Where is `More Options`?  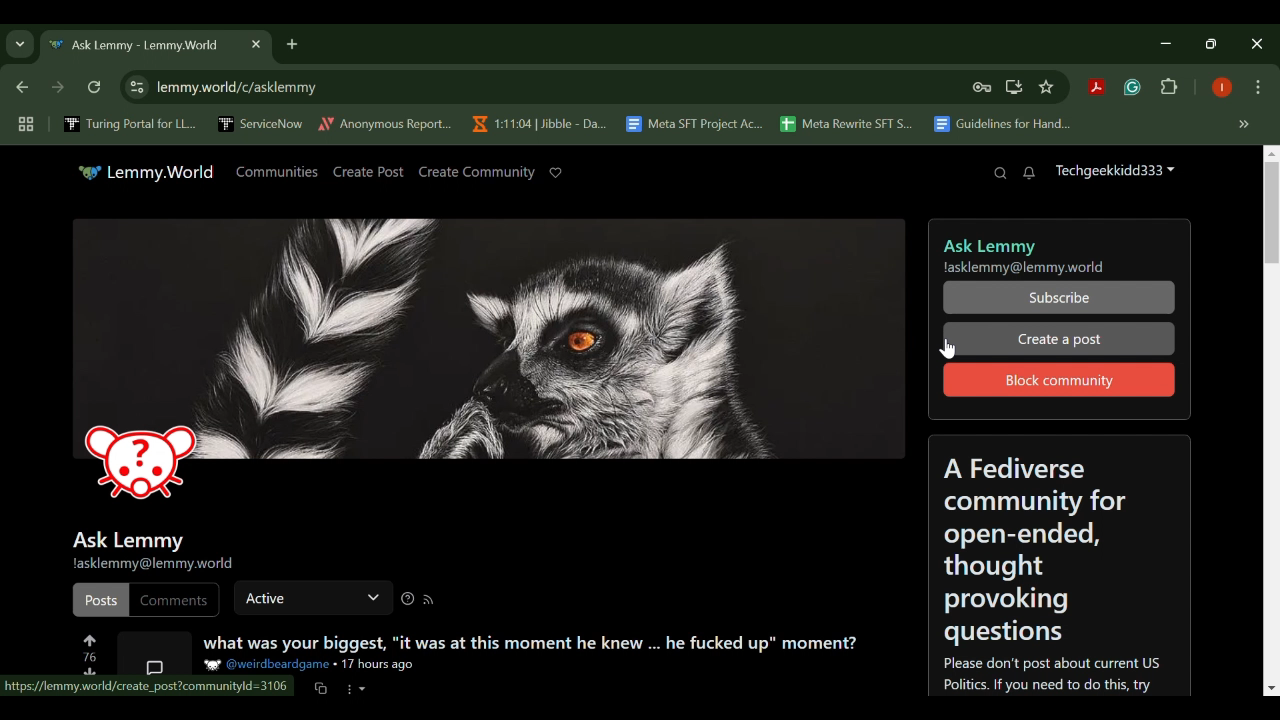
More Options is located at coordinates (357, 688).